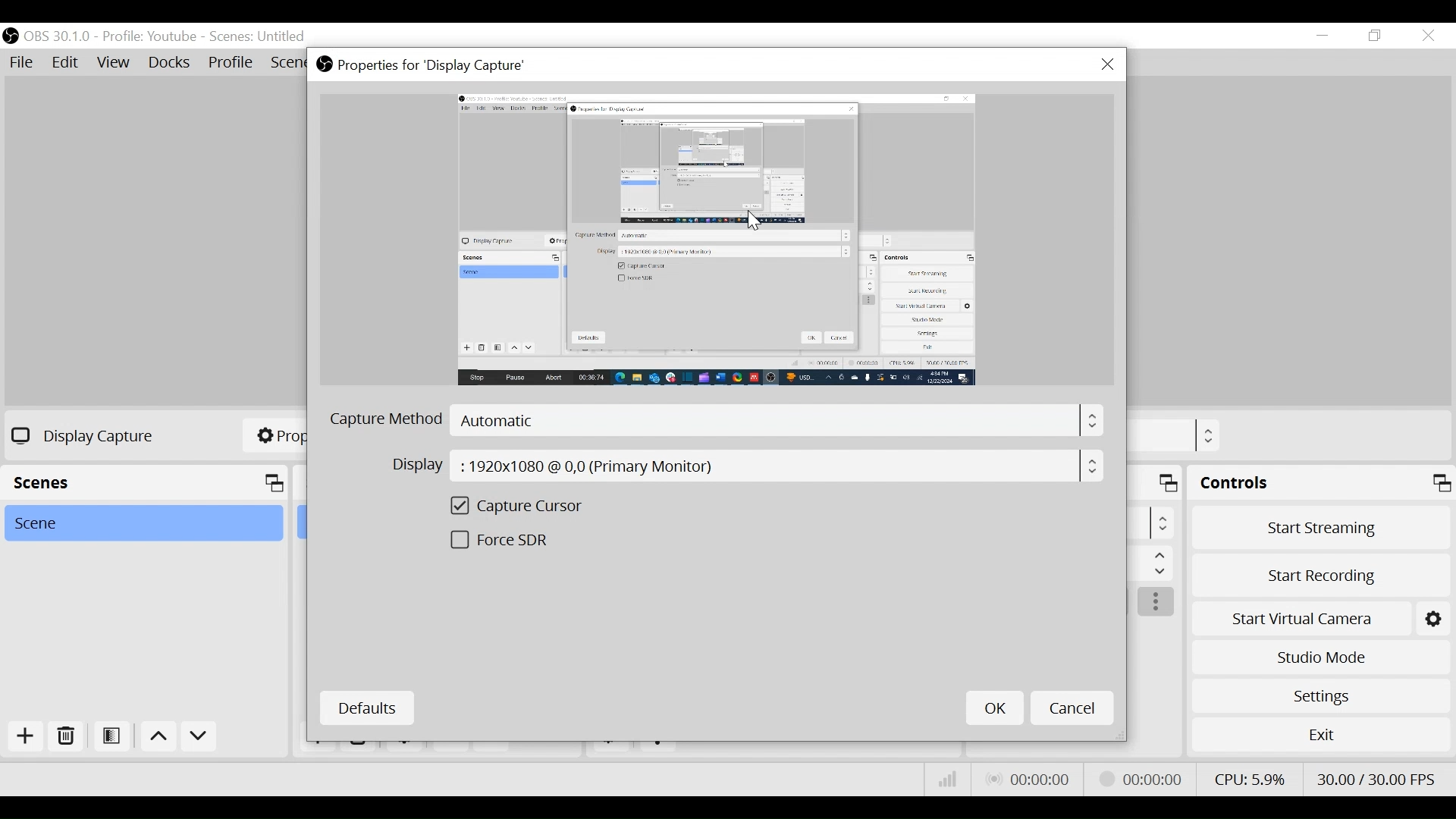 The width and height of the screenshot is (1456, 819). Describe the element at coordinates (110, 737) in the screenshot. I see `Open Scene Filter` at that location.